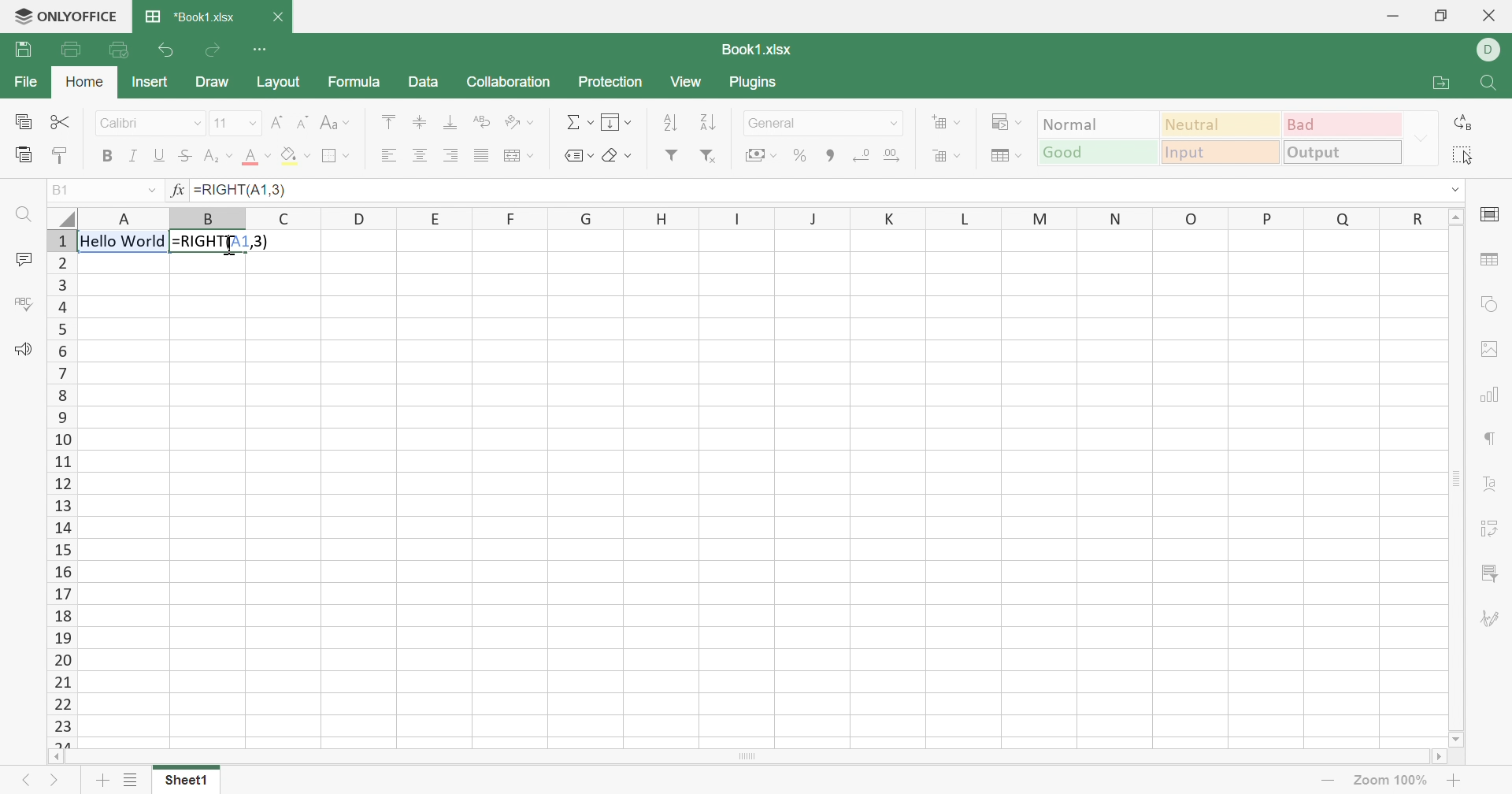 The width and height of the screenshot is (1512, 794). Describe the element at coordinates (1487, 488) in the screenshot. I see `Text Art settings` at that location.